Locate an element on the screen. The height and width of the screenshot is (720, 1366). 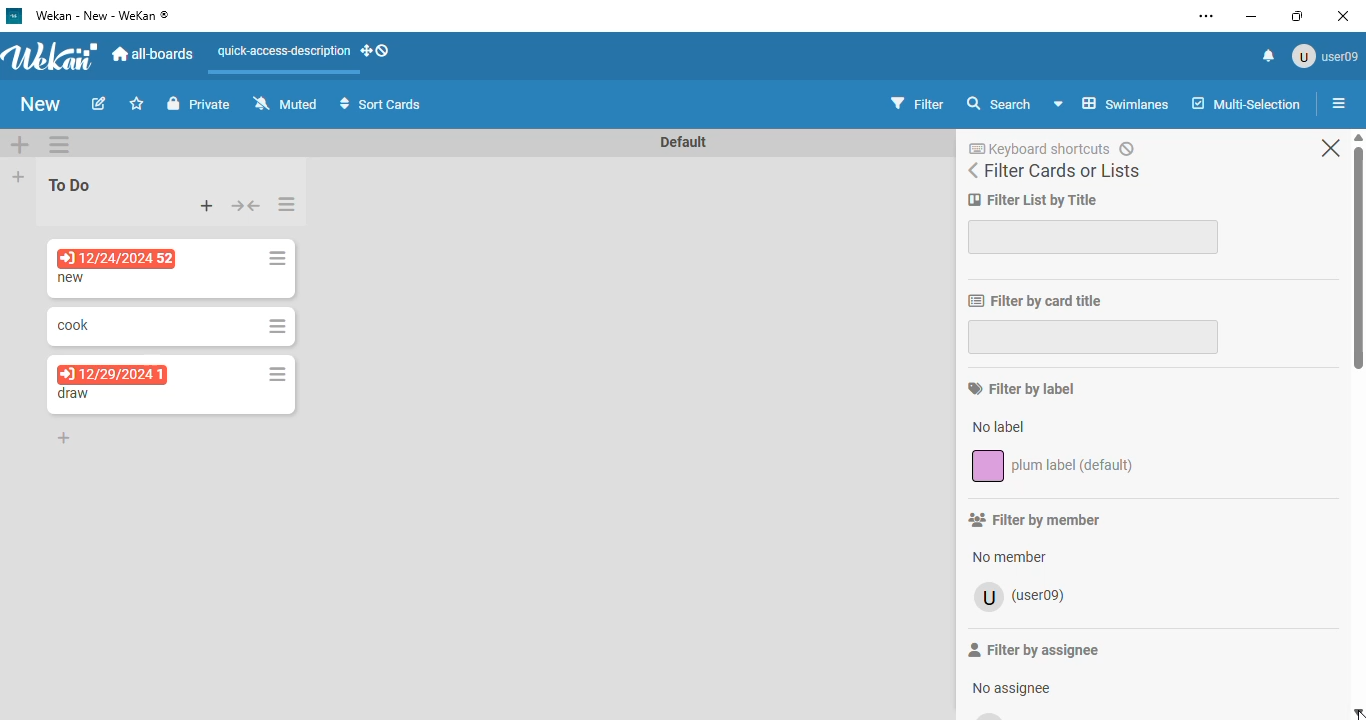
card actions is located at coordinates (277, 373).